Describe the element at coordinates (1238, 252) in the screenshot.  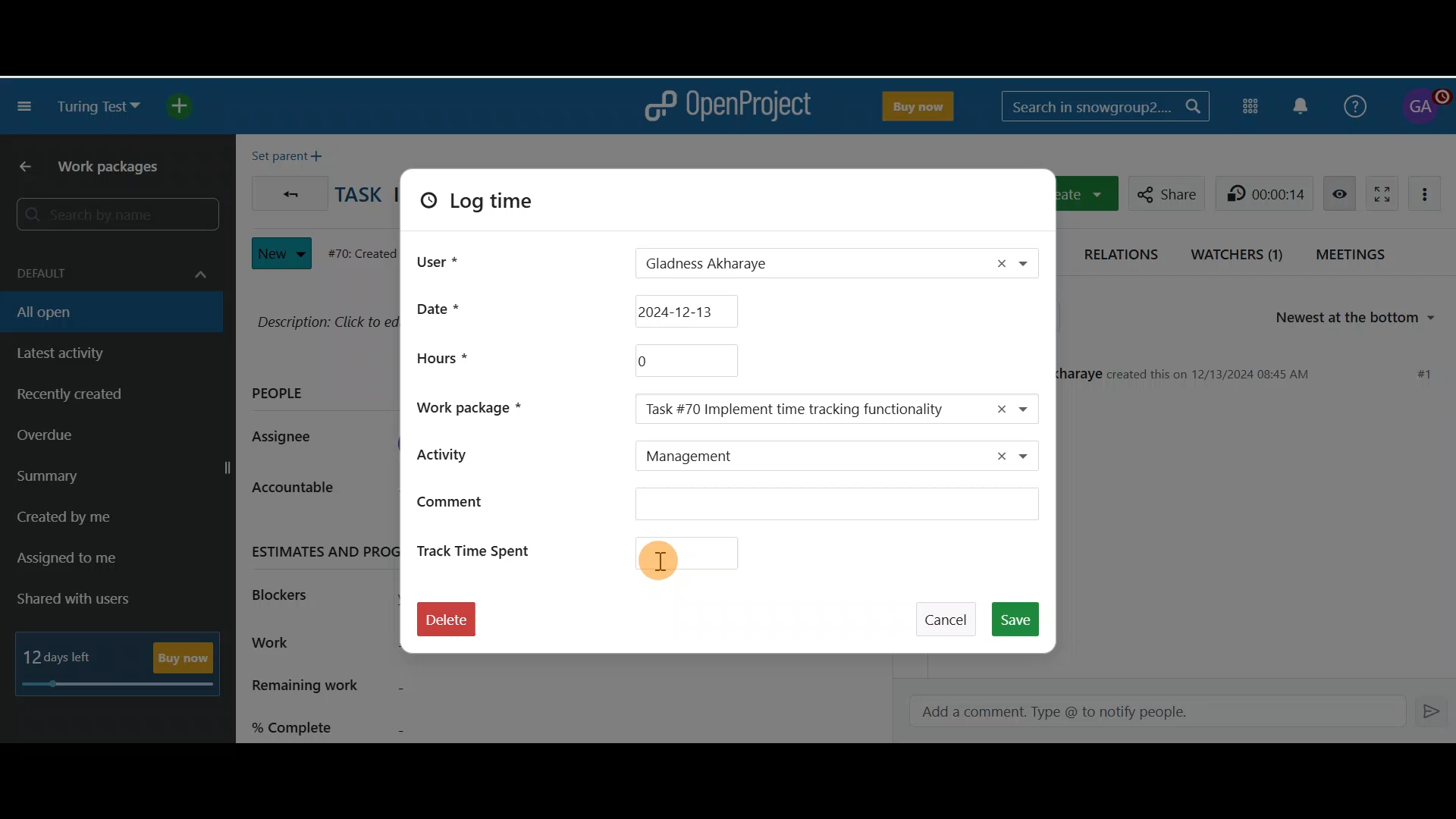
I see `Watchers` at that location.